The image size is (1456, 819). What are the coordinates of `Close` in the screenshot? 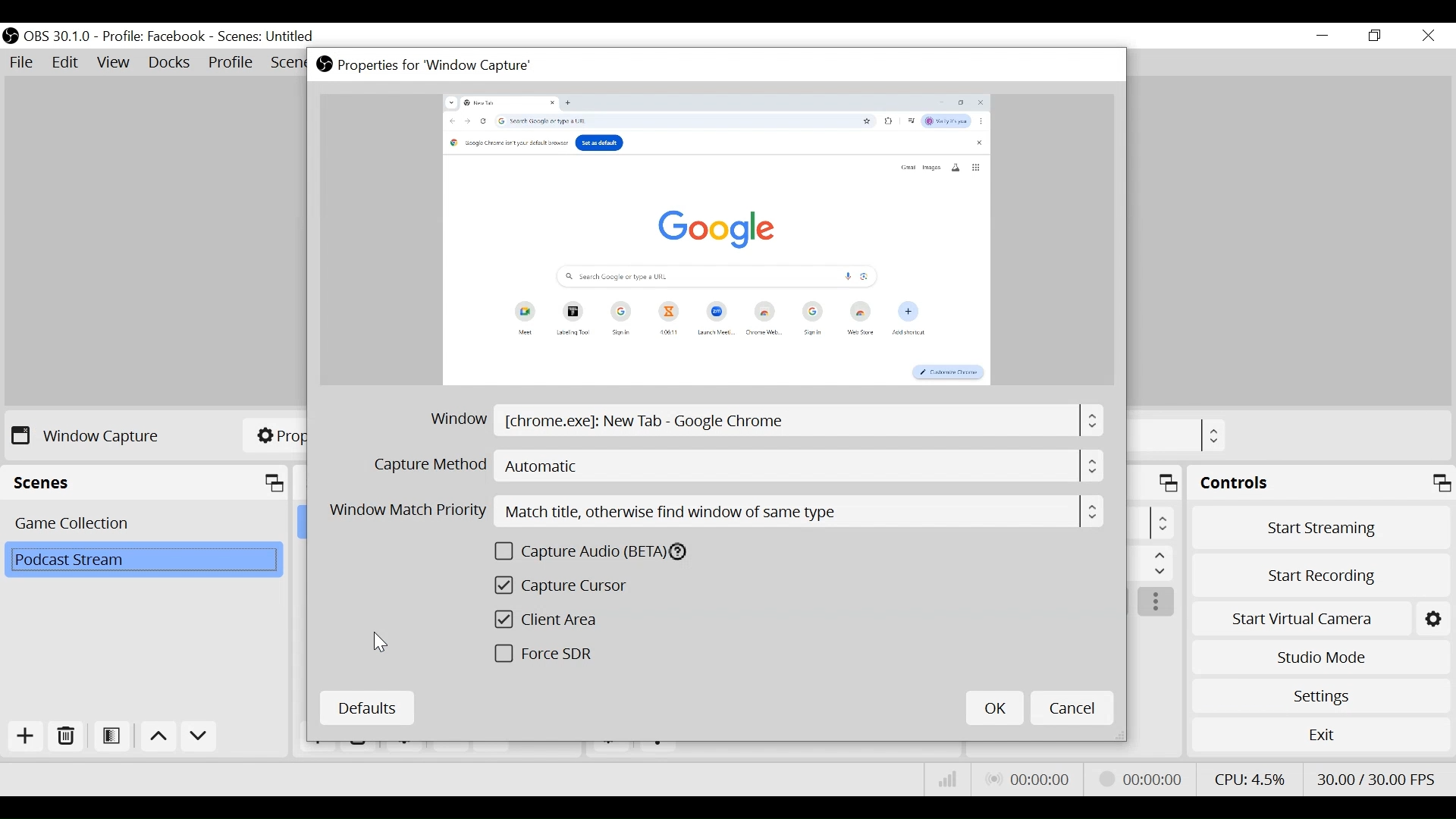 It's located at (1427, 36).